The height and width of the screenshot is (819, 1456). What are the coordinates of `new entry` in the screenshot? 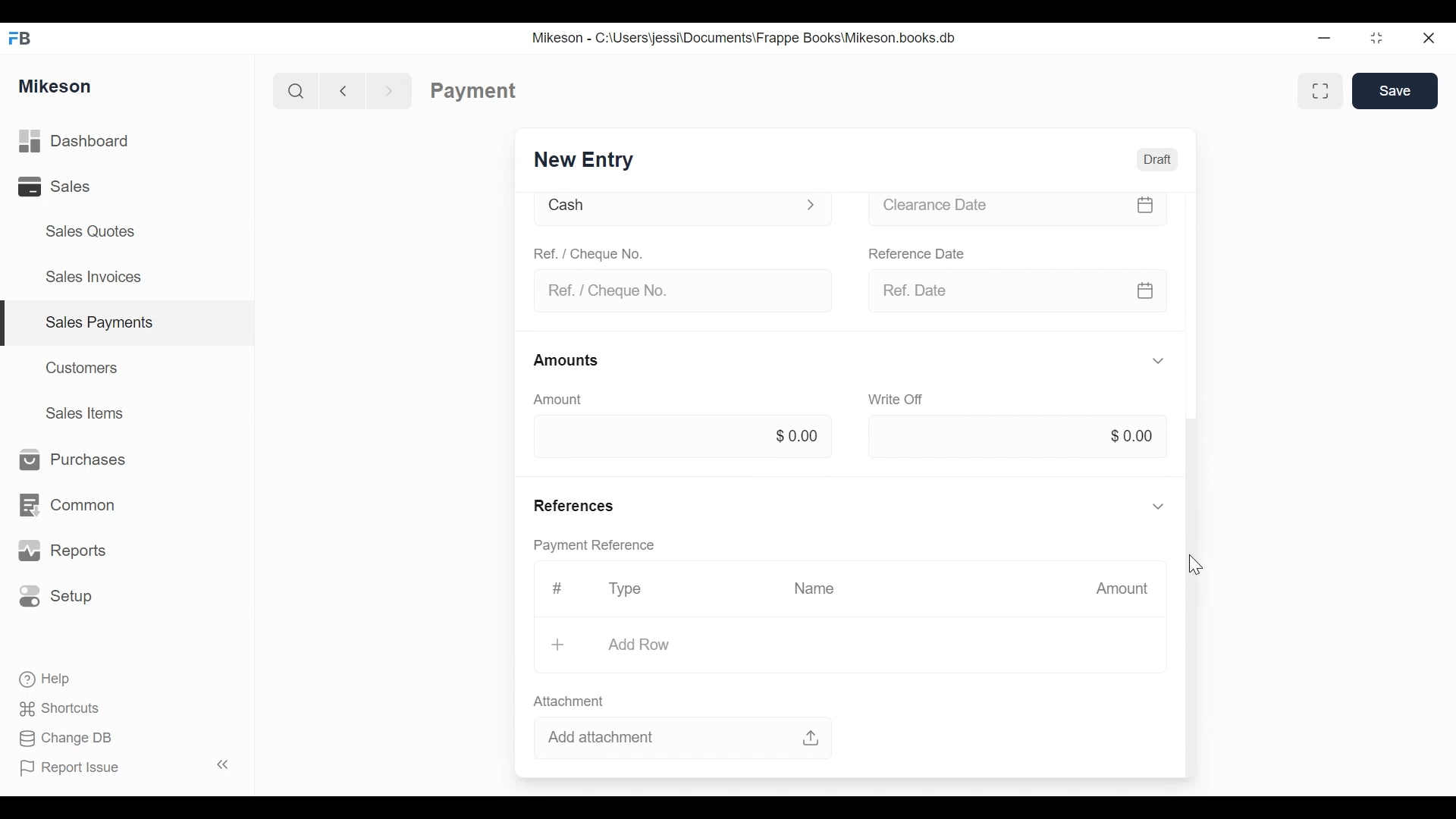 It's located at (586, 158).